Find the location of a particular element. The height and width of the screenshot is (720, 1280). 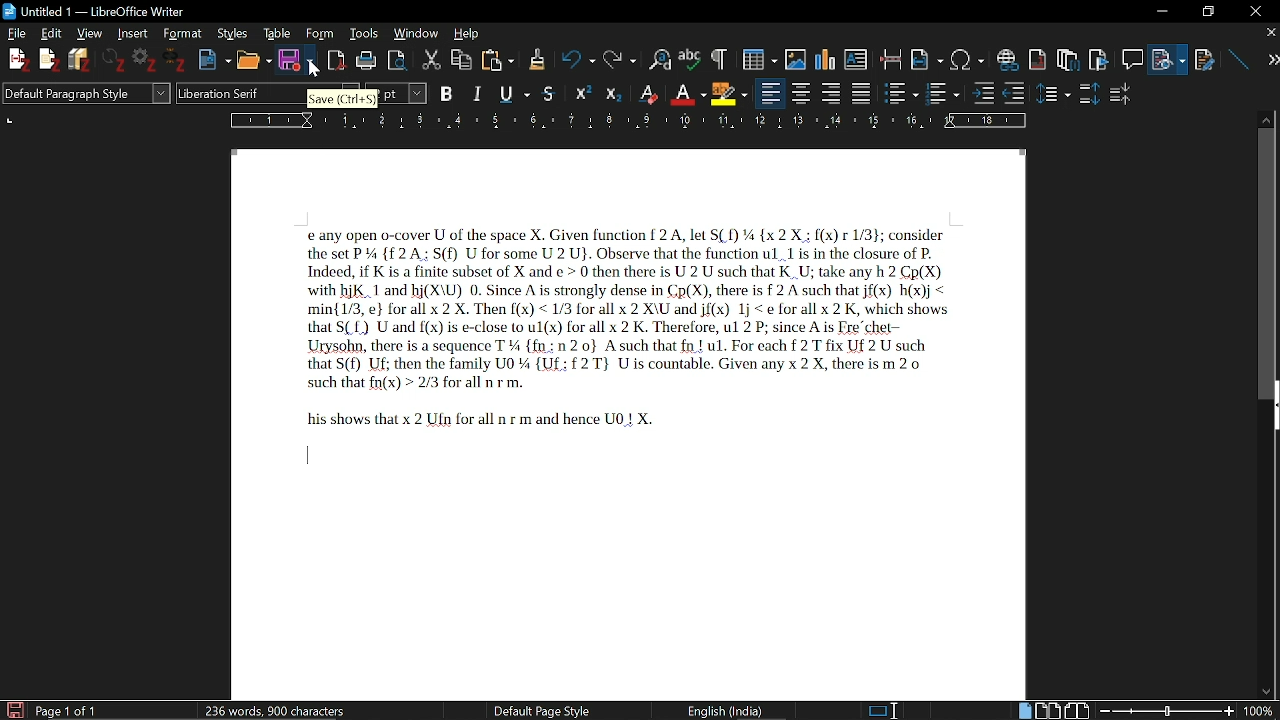

decrease paragraph space is located at coordinates (1121, 97).